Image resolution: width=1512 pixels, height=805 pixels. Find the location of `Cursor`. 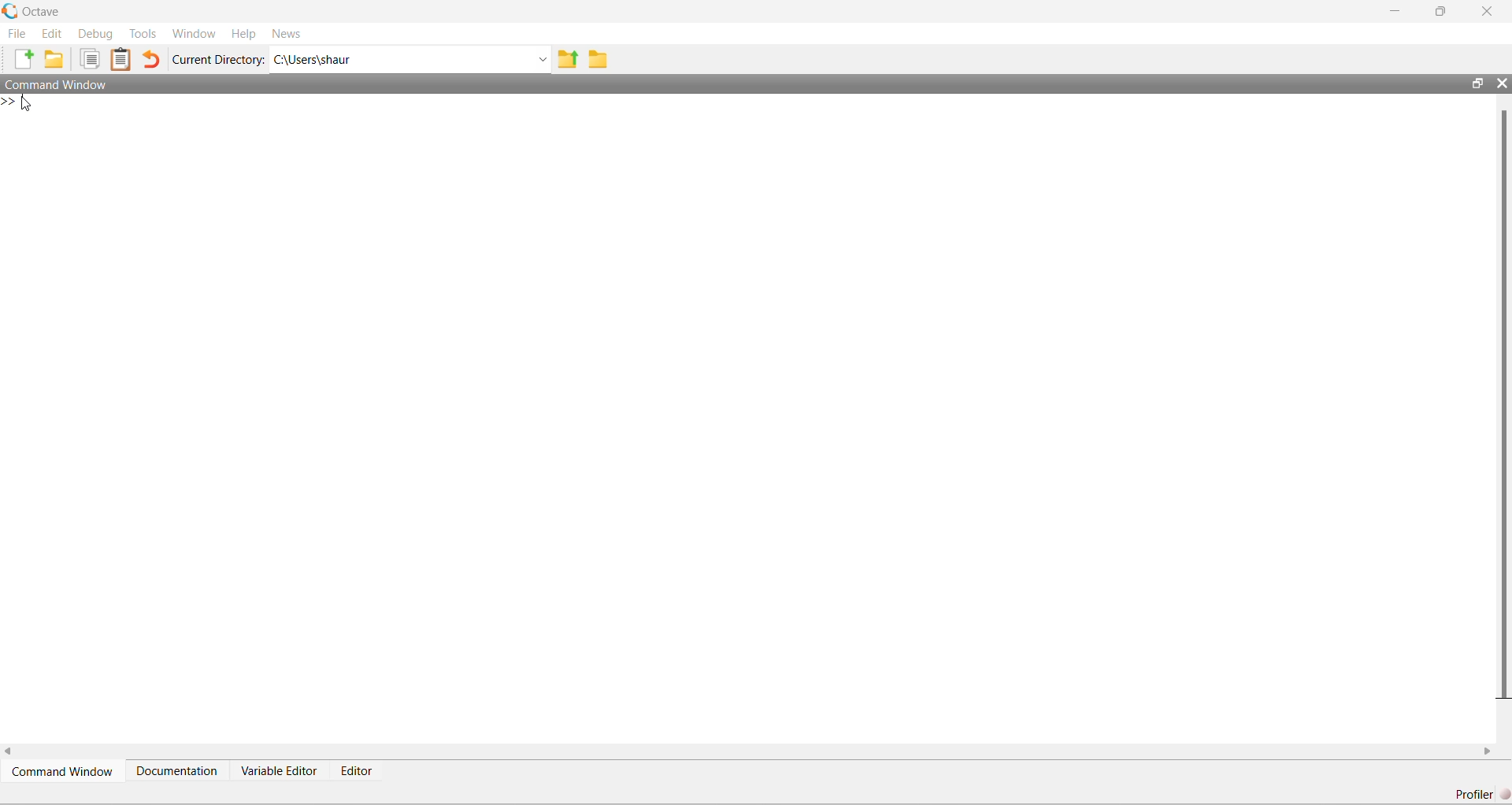

Cursor is located at coordinates (26, 106).